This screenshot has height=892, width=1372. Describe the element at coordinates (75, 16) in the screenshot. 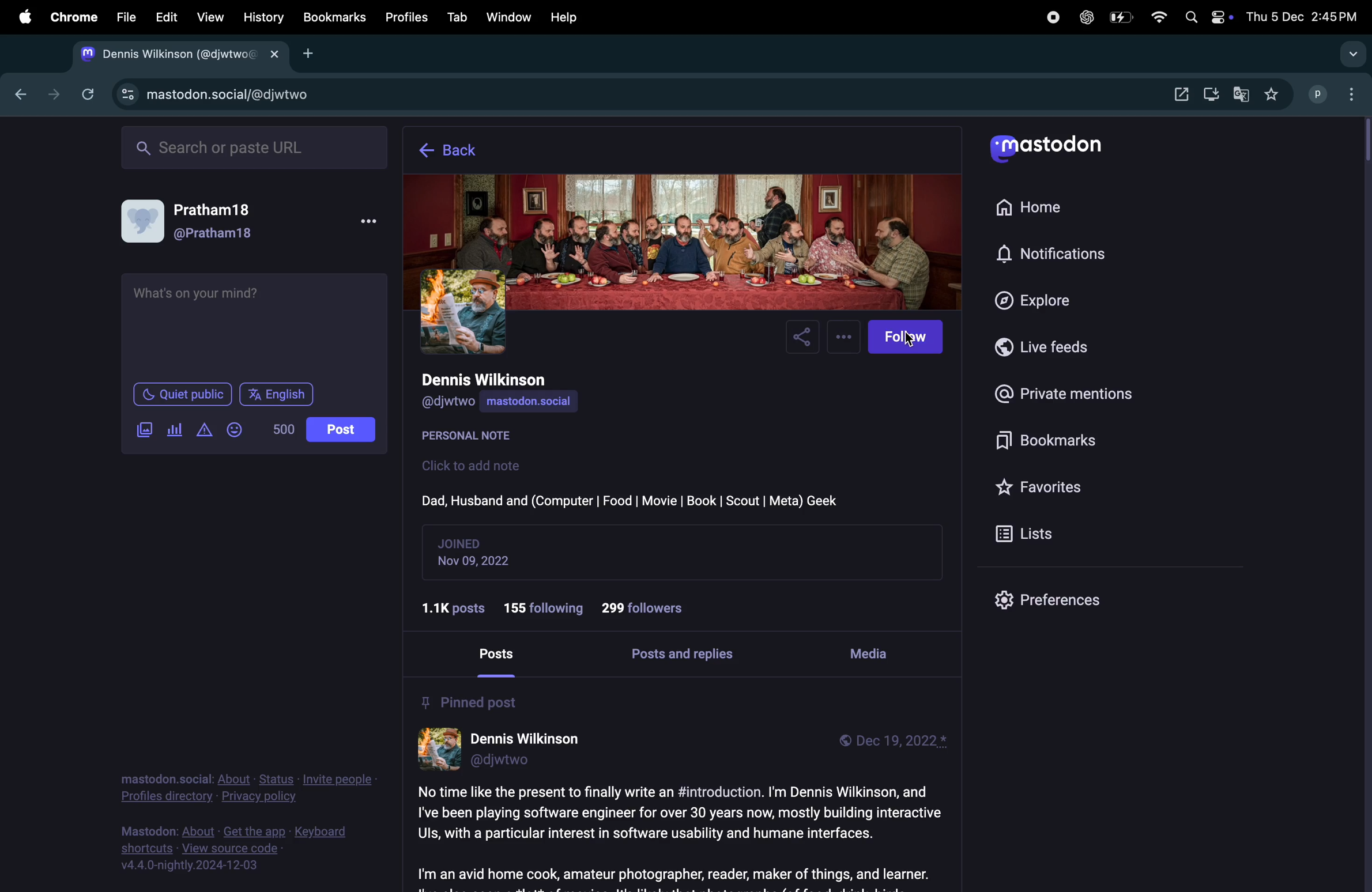

I see `chrome` at that location.